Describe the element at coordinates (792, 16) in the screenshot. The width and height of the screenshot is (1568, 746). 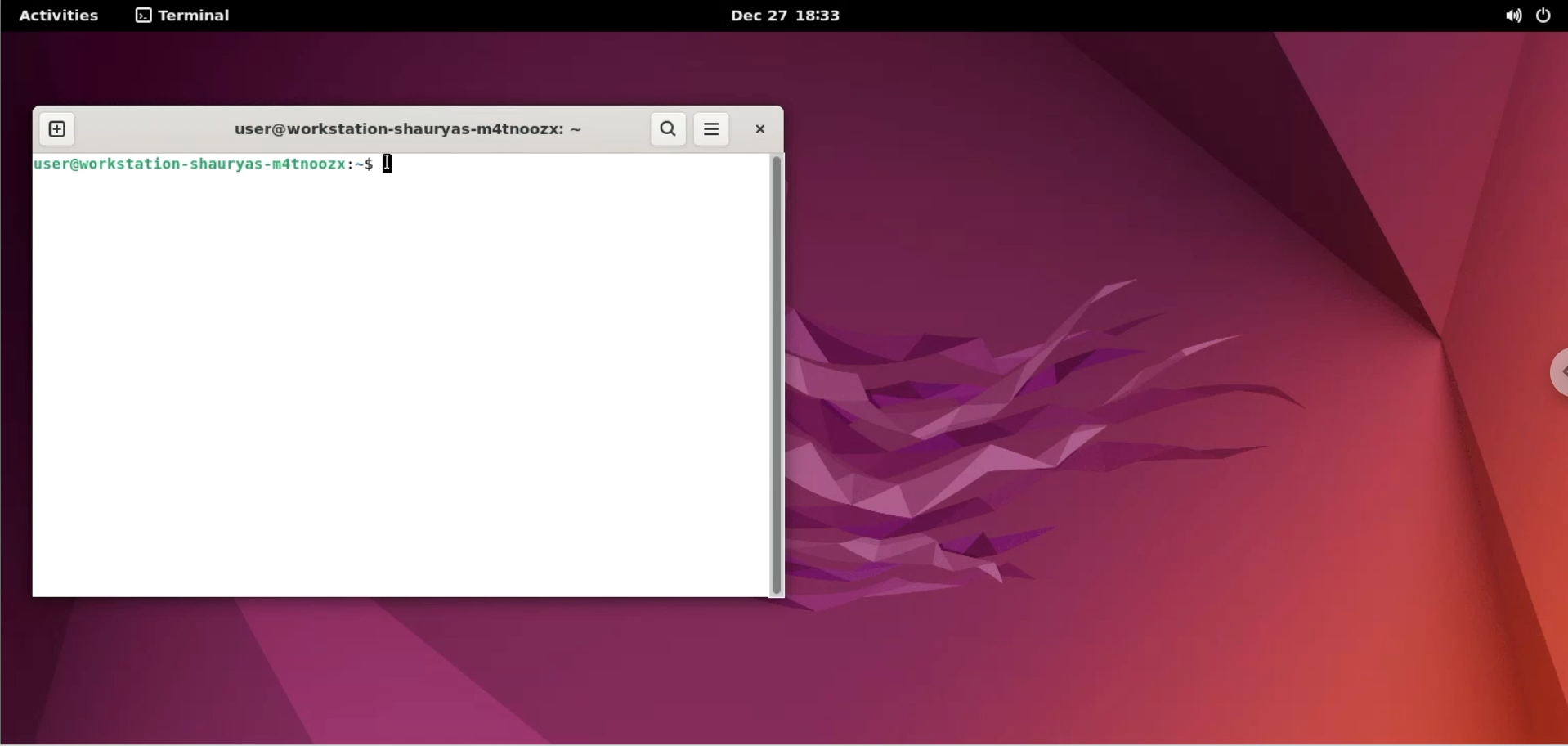
I see `Dec 27 18:33` at that location.